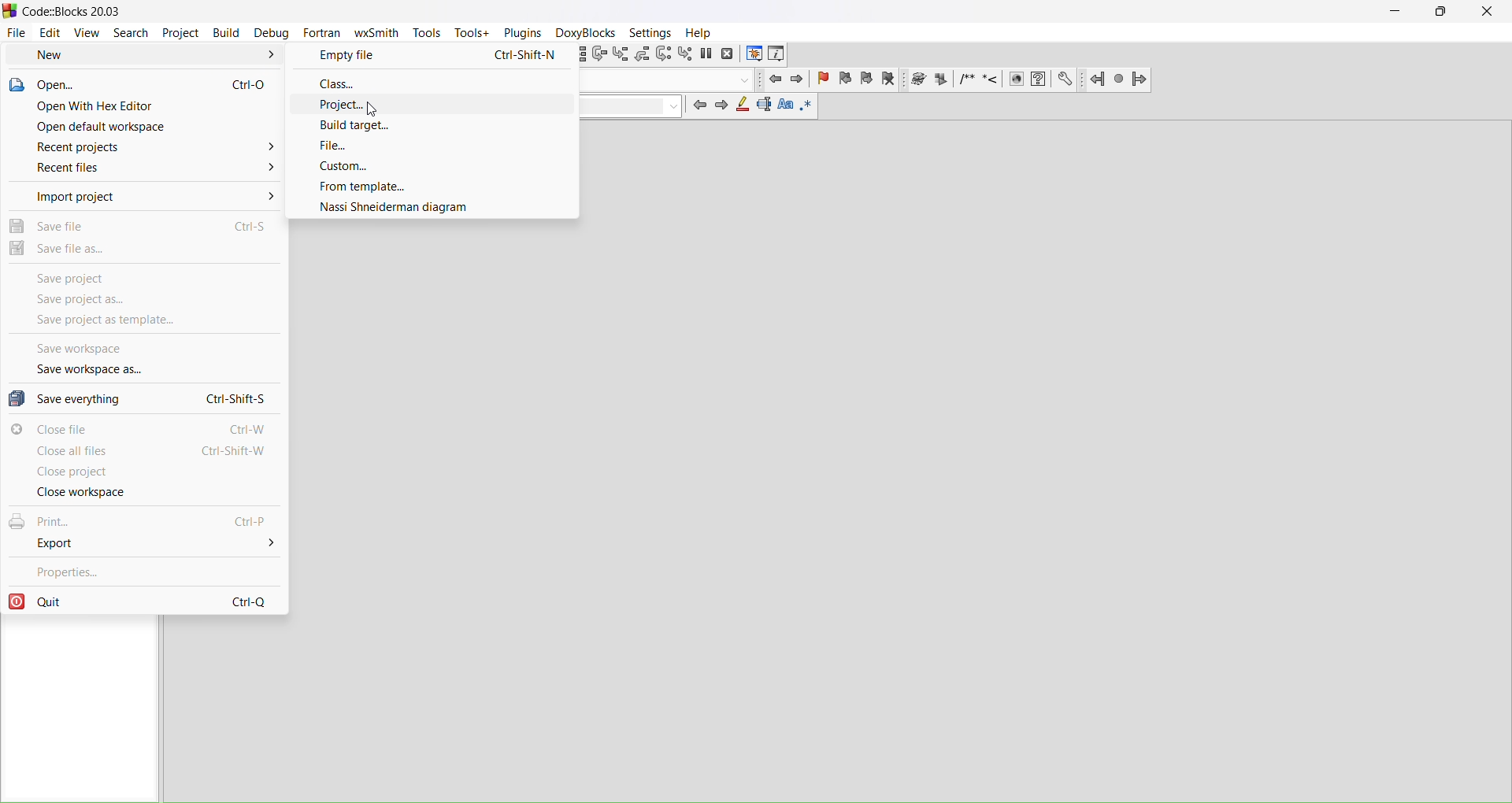  I want to click on debugging windows, so click(751, 55).